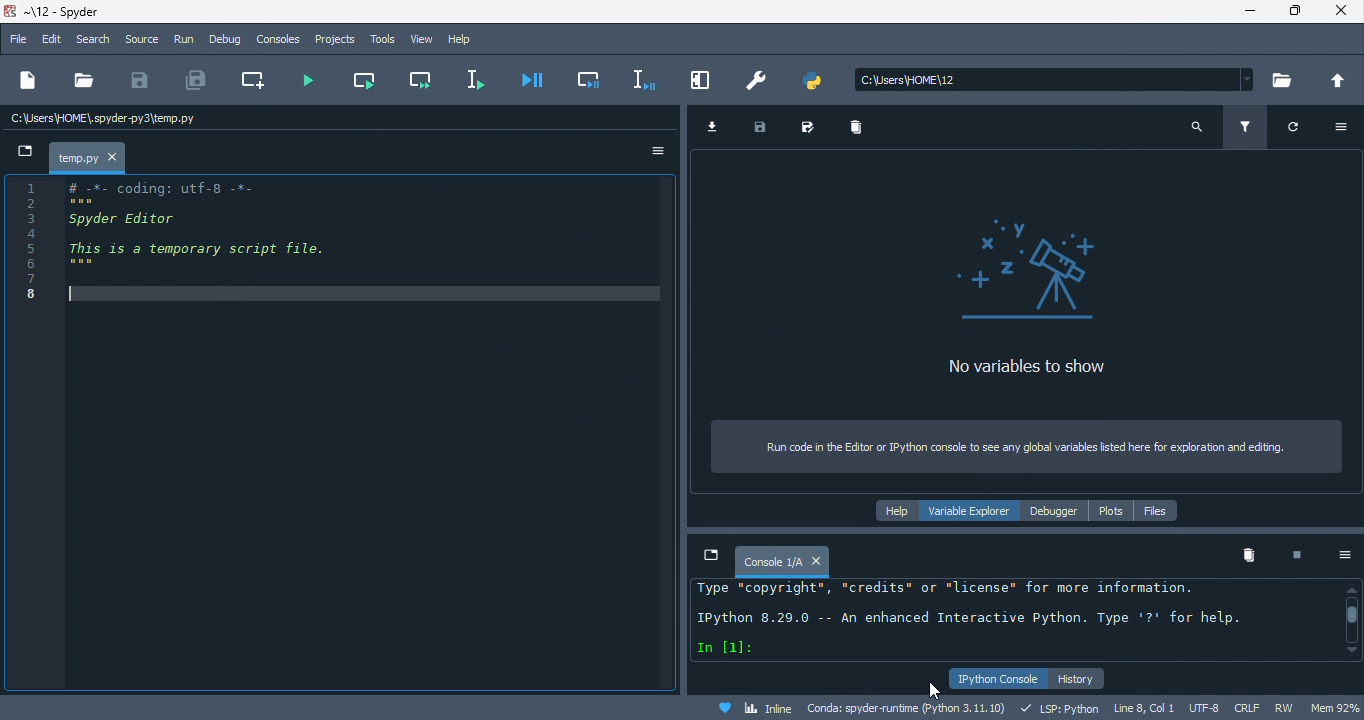 The width and height of the screenshot is (1364, 720). I want to click on file, so click(16, 41).